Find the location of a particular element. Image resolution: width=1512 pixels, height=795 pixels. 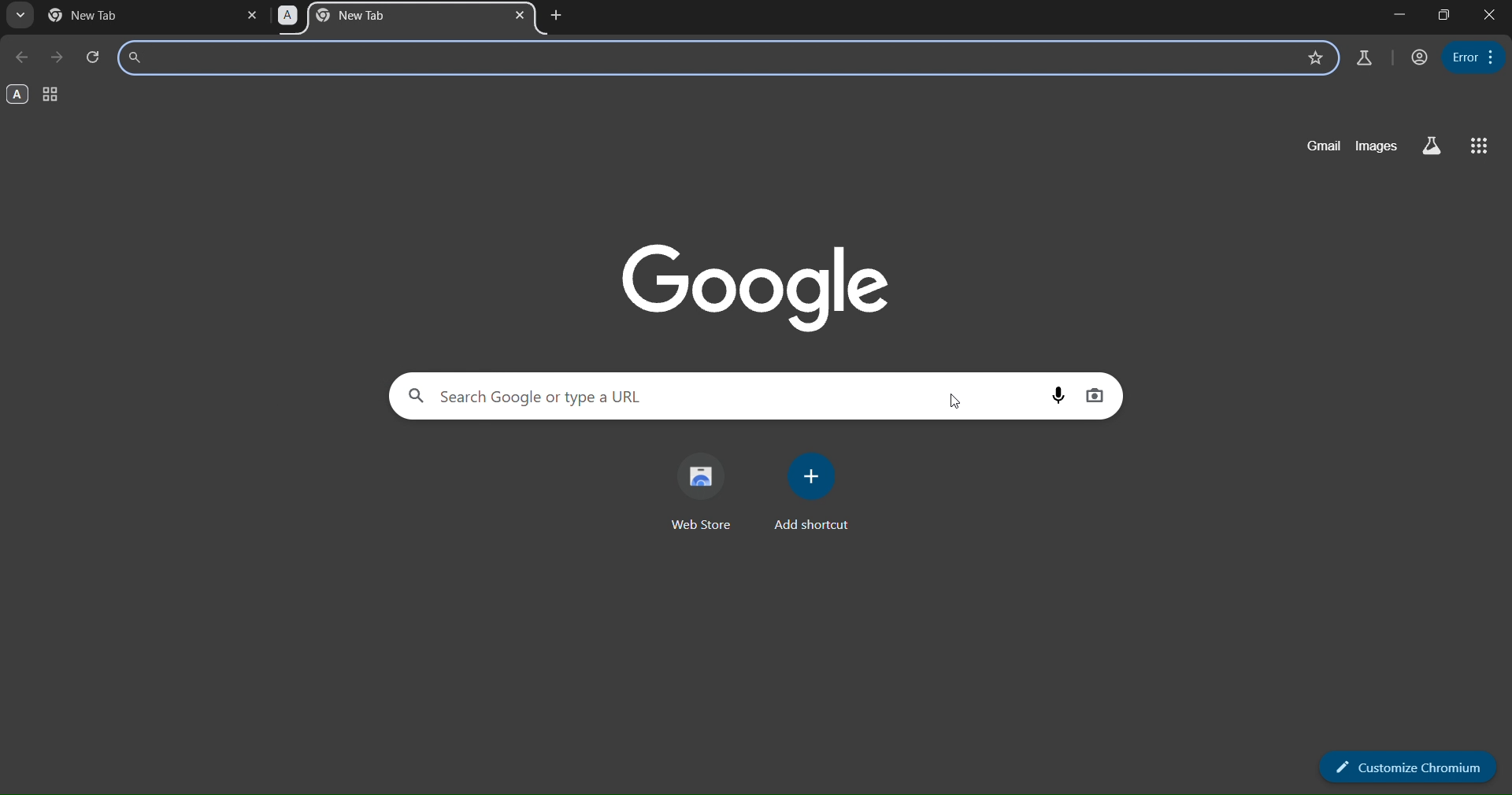

search tabs is located at coordinates (24, 17).